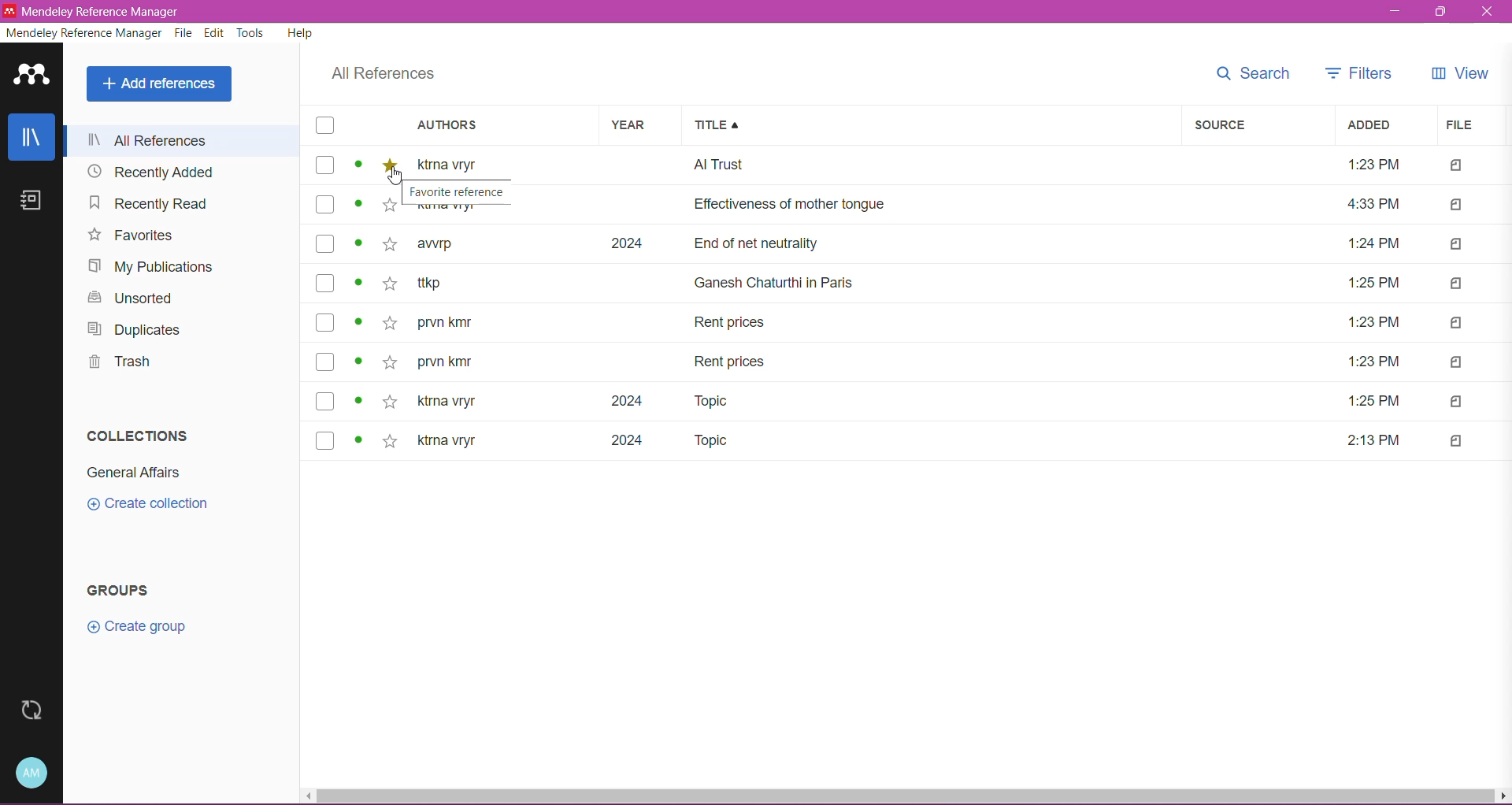 The width and height of the screenshot is (1512, 805). I want to click on prvn kmr Rent prices 1:23 PM, so click(912, 362).